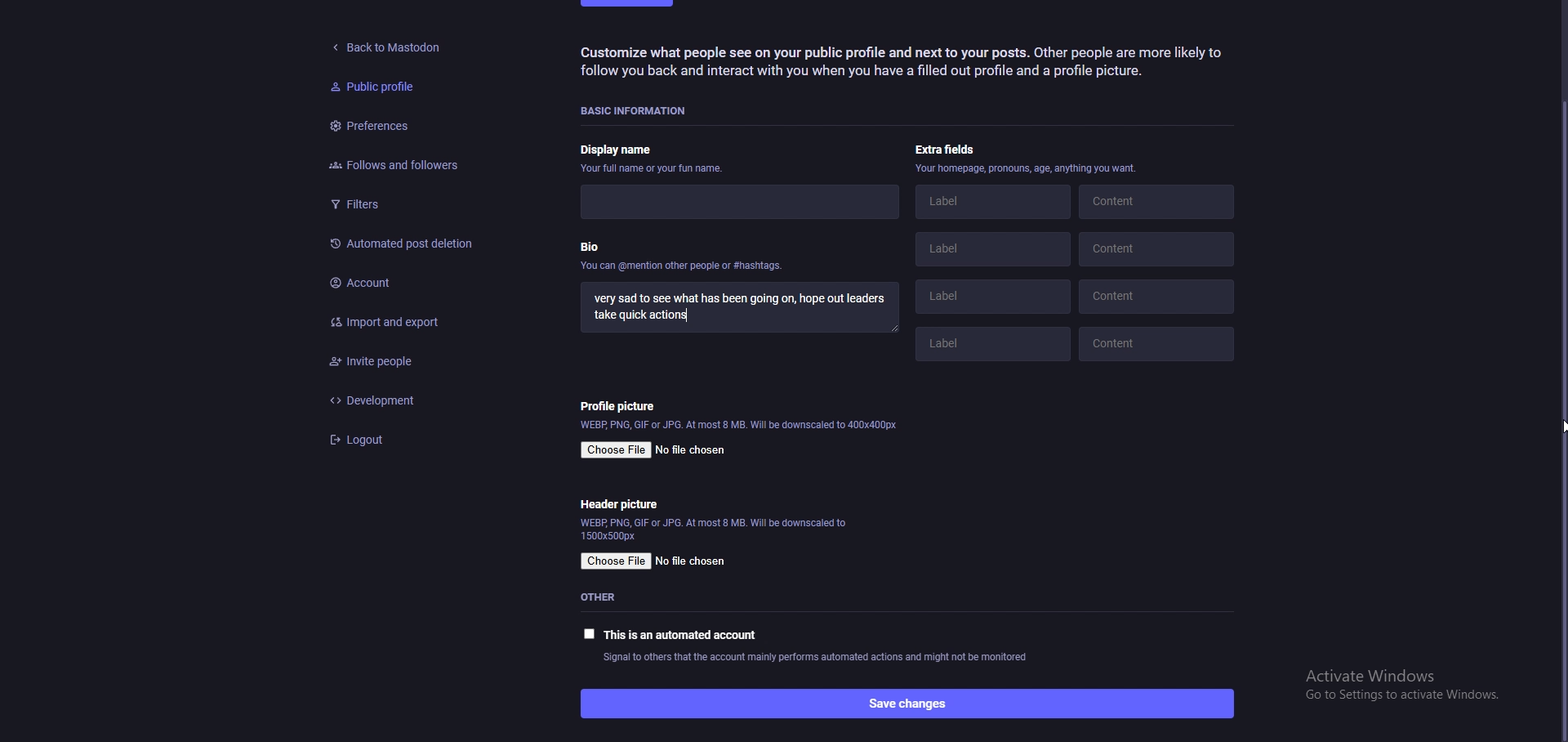 This screenshot has height=742, width=1568. I want to click on info, so click(1027, 170).